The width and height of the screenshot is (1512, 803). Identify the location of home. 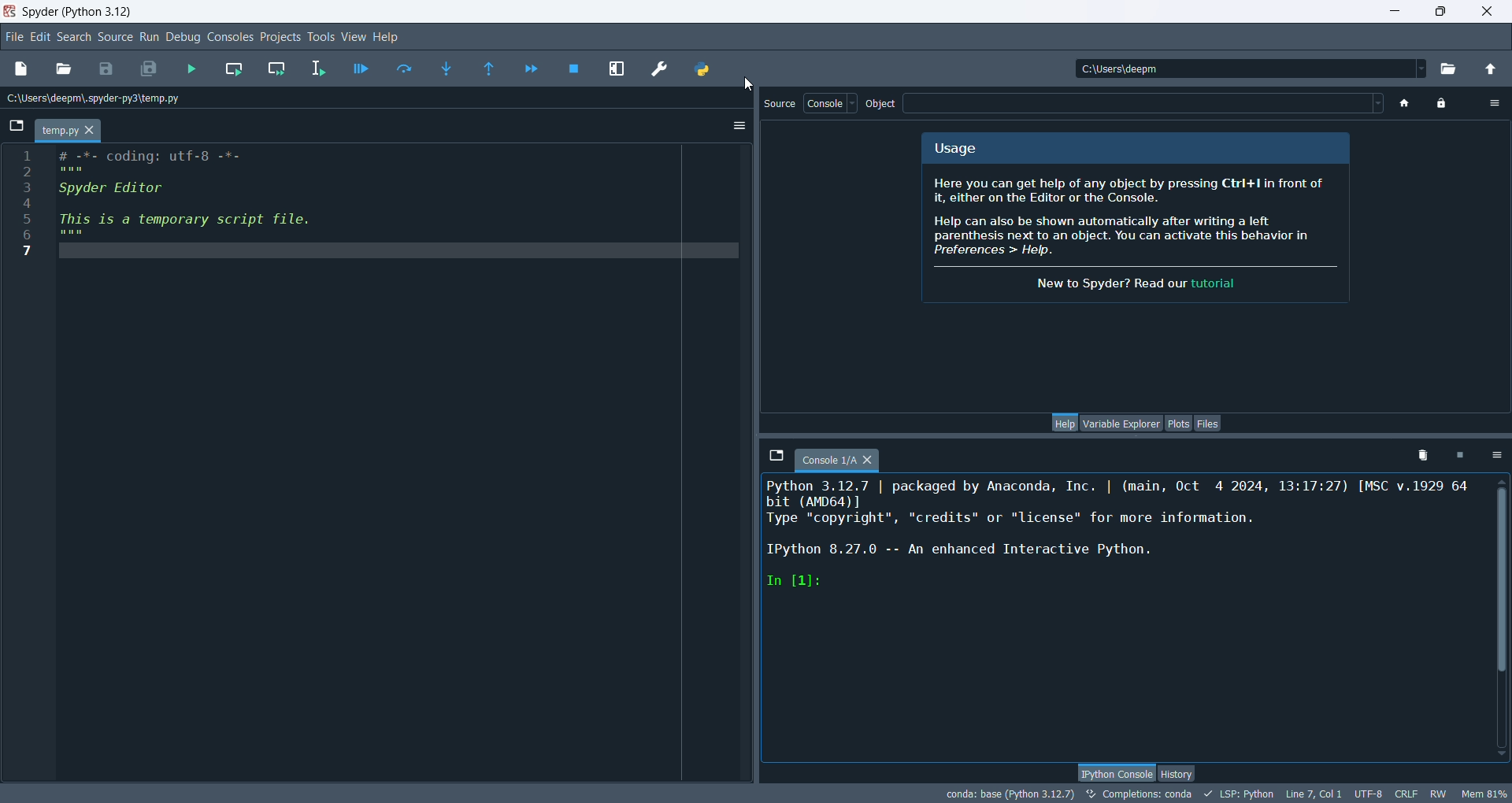
(1405, 105).